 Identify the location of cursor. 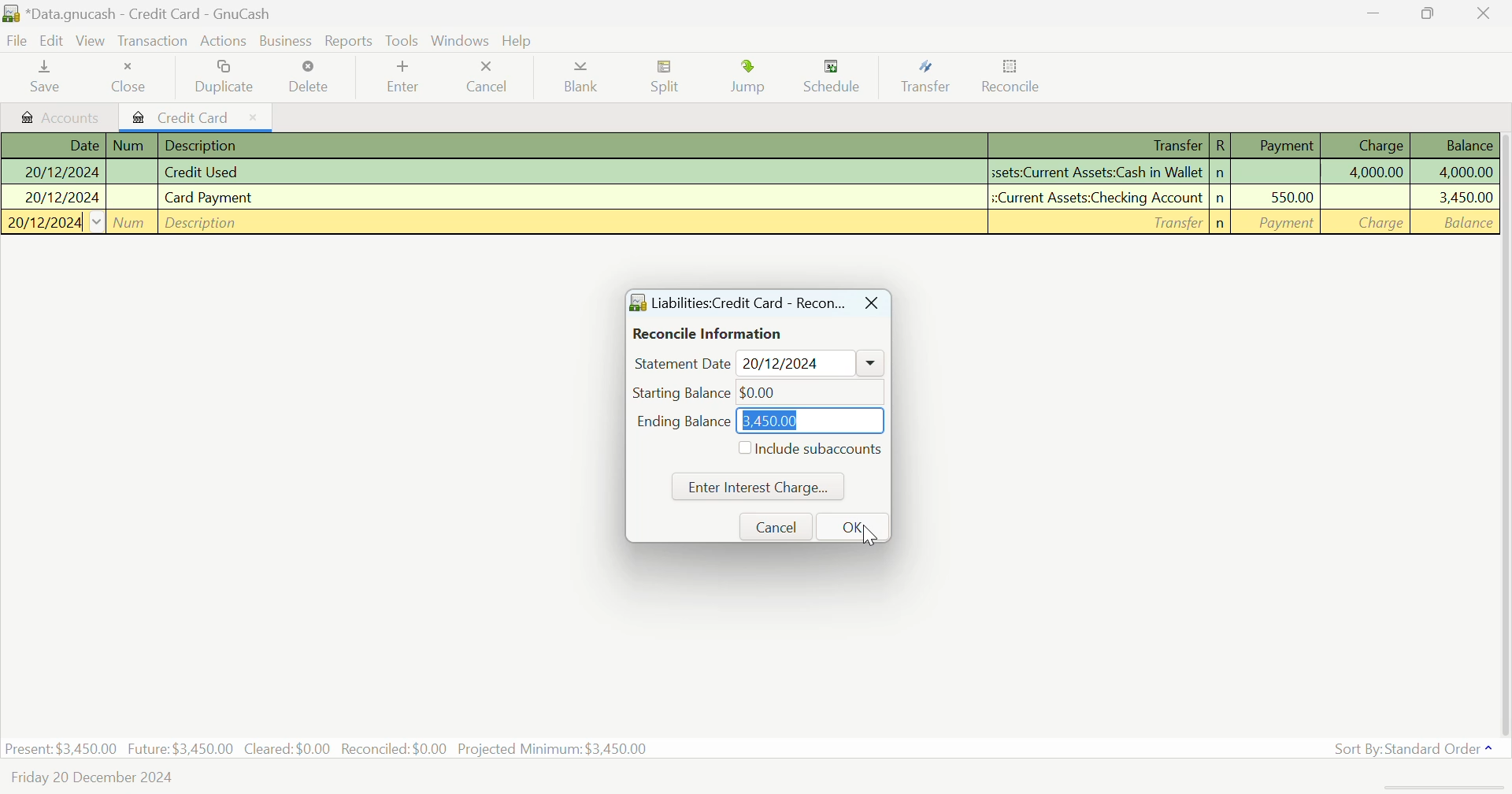
(869, 536).